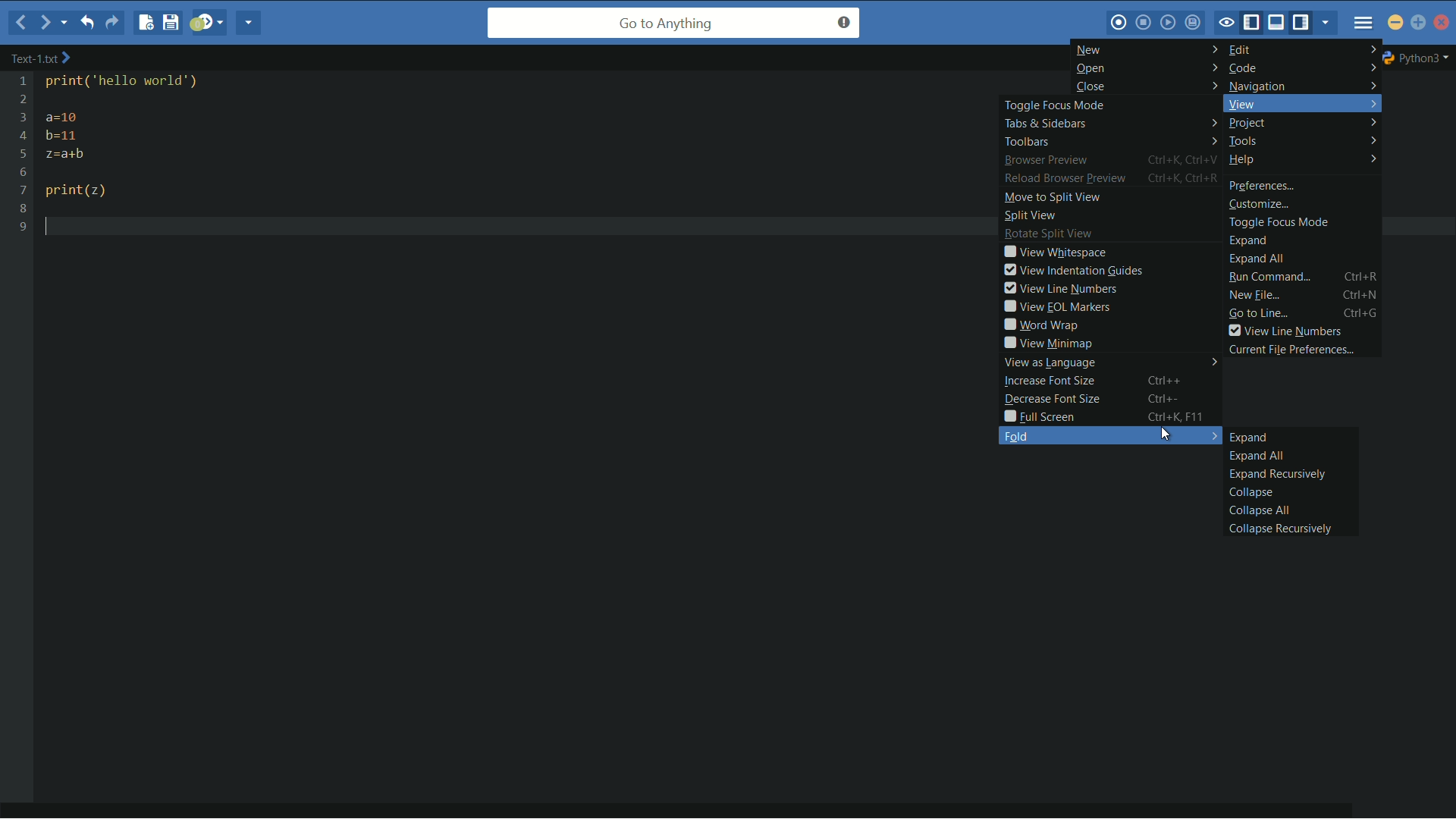 Image resolution: width=1456 pixels, height=819 pixels. Describe the element at coordinates (1305, 24) in the screenshot. I see `show/hide right pane` at that location.